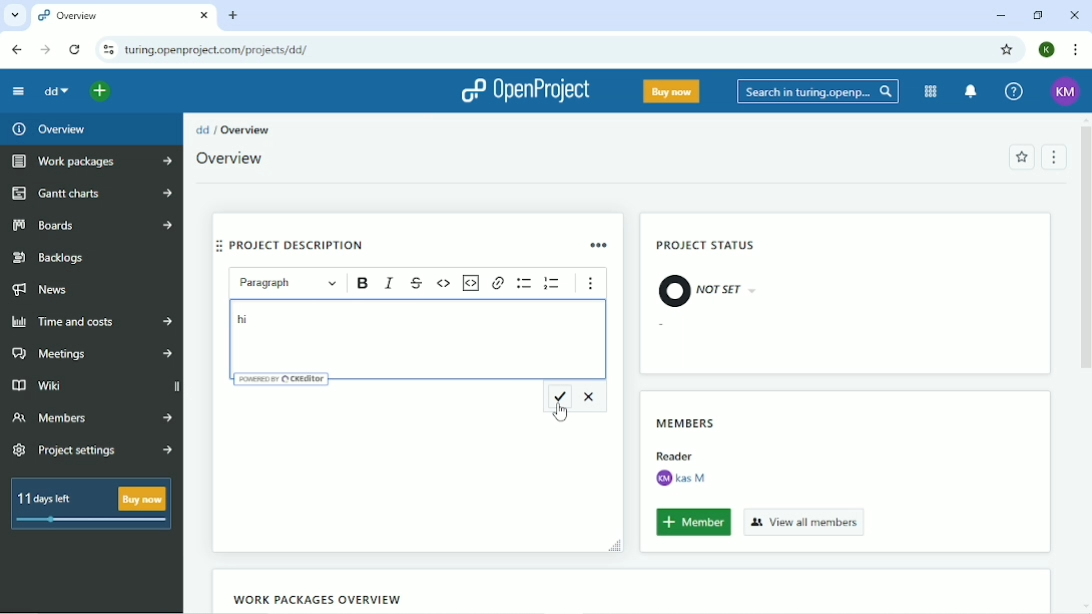 Image resolution: width=1092 pixels, height=614 pixels. Describe the element at coordinates (524, 283) in the screenshot. I see `Bulleted list` at that location.